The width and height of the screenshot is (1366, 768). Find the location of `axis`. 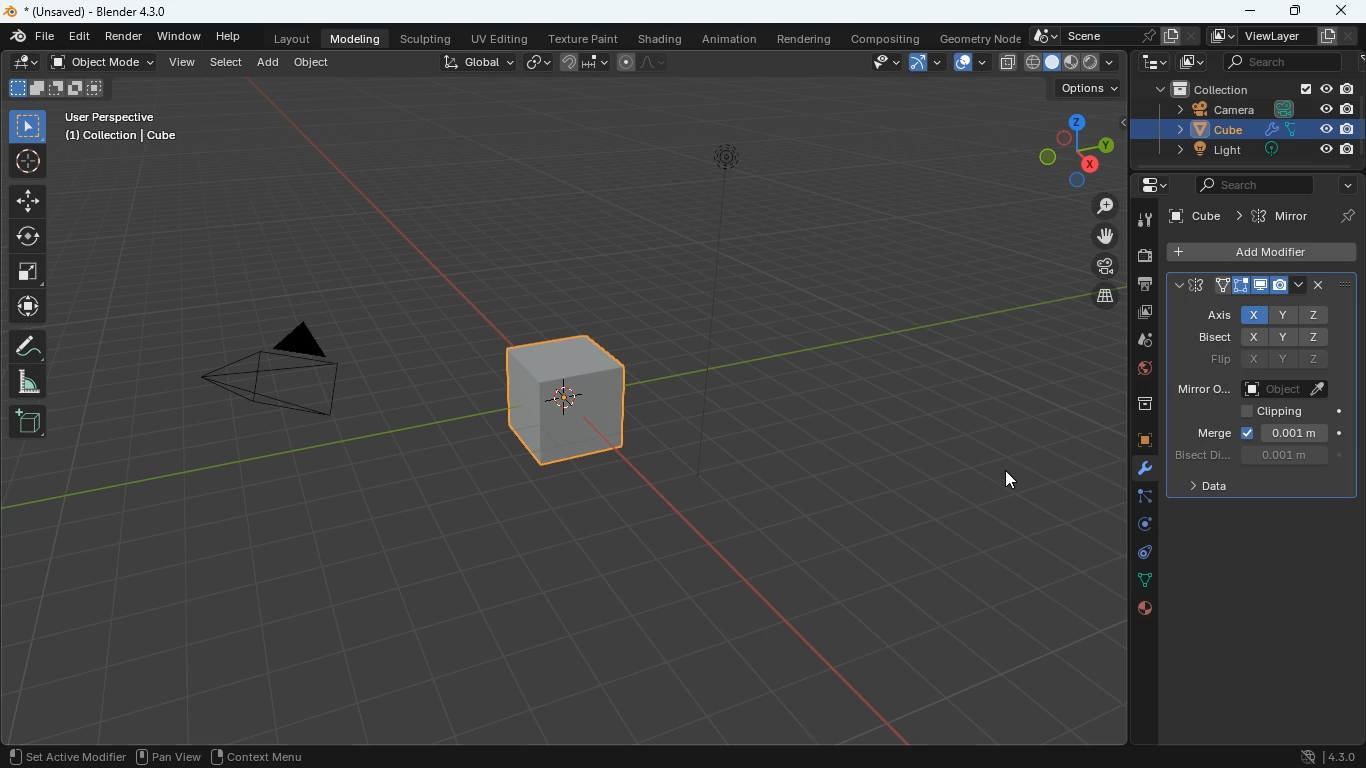

axis is located at coordinates (1215, 315).